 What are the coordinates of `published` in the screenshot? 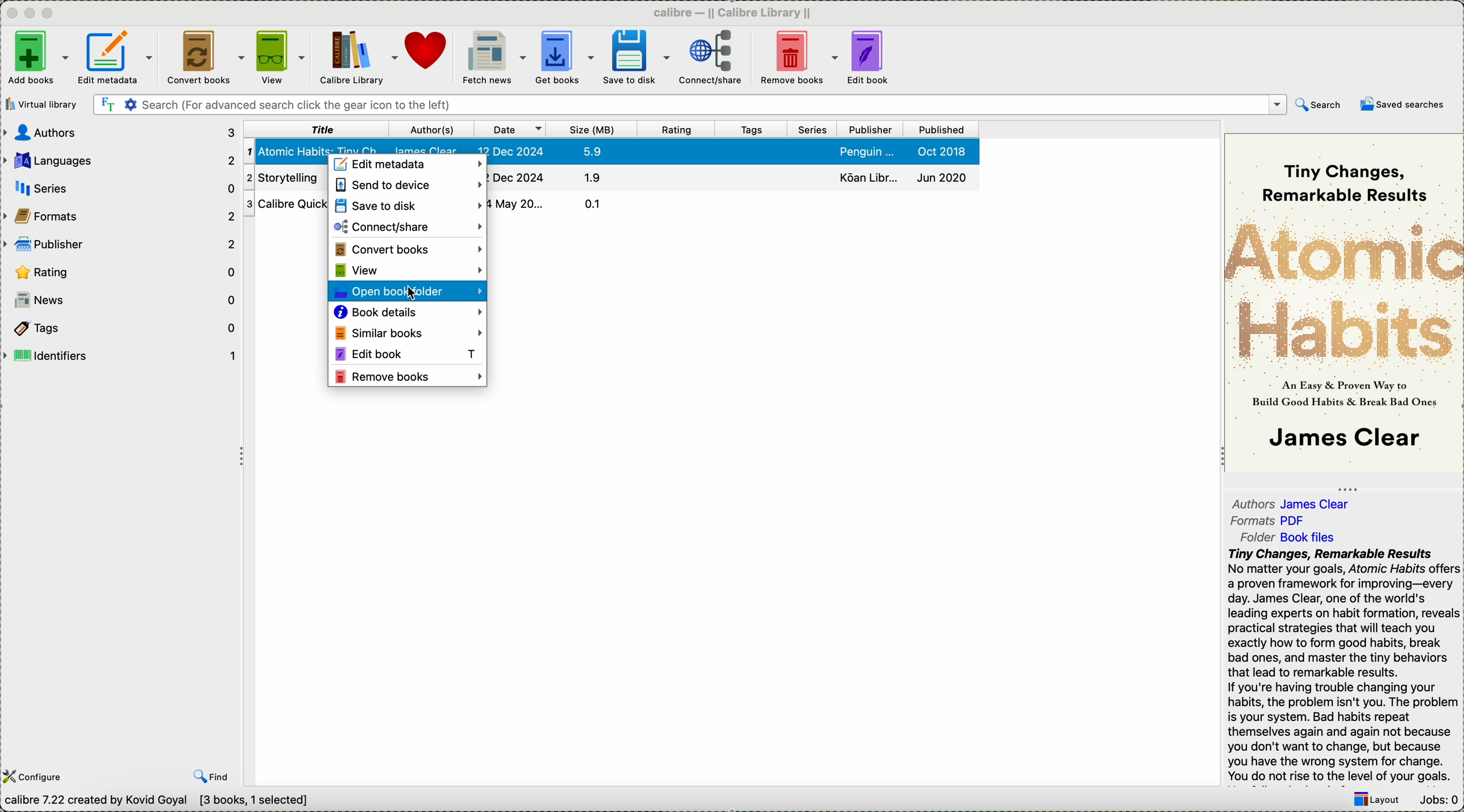 It's located at (941, 130).